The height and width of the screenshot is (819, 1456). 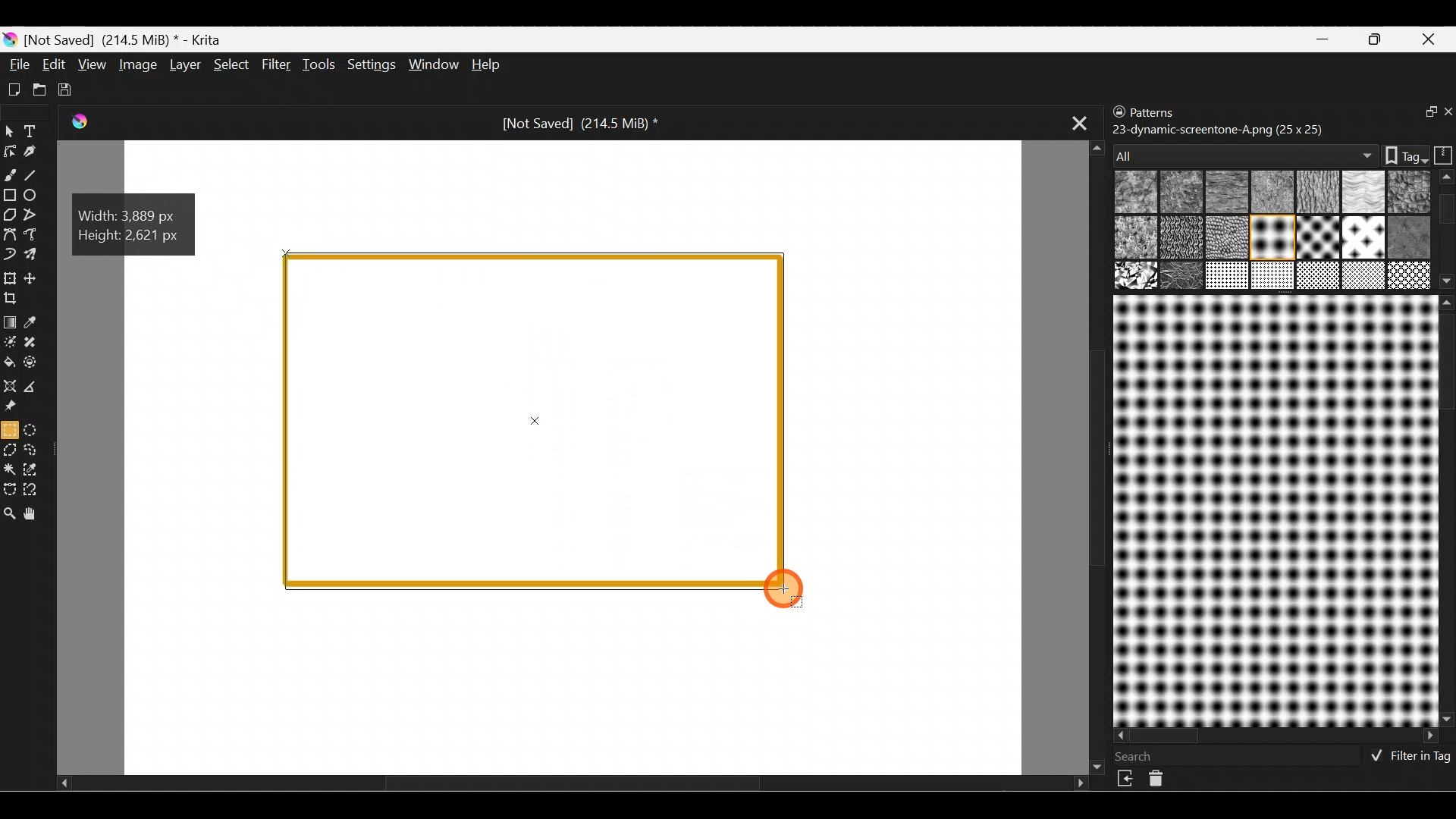 I want to click on Scroll bar, so click(x=1446, y=510).